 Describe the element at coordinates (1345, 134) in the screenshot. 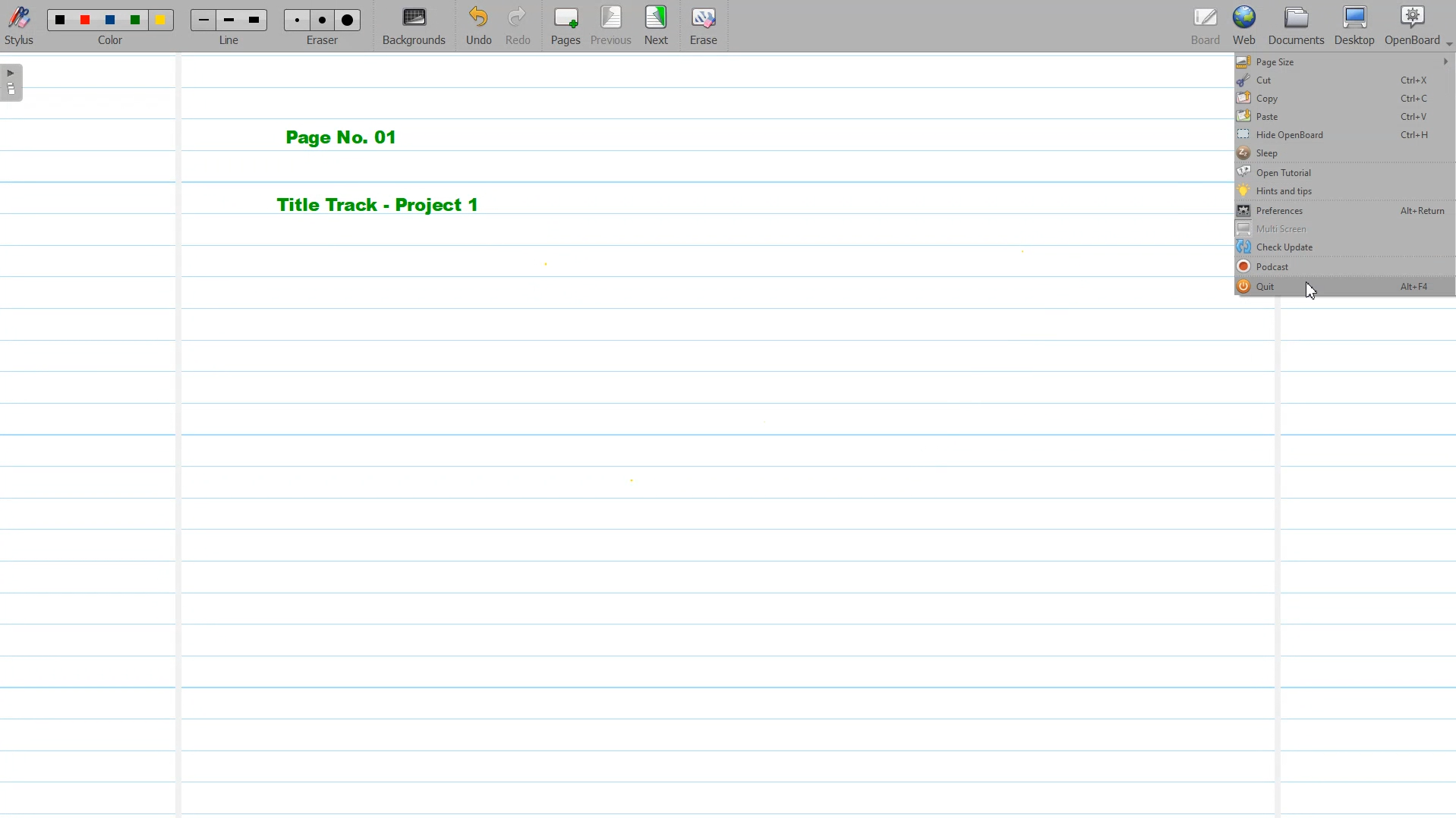

I see `Hide OpenBoard` at that location.